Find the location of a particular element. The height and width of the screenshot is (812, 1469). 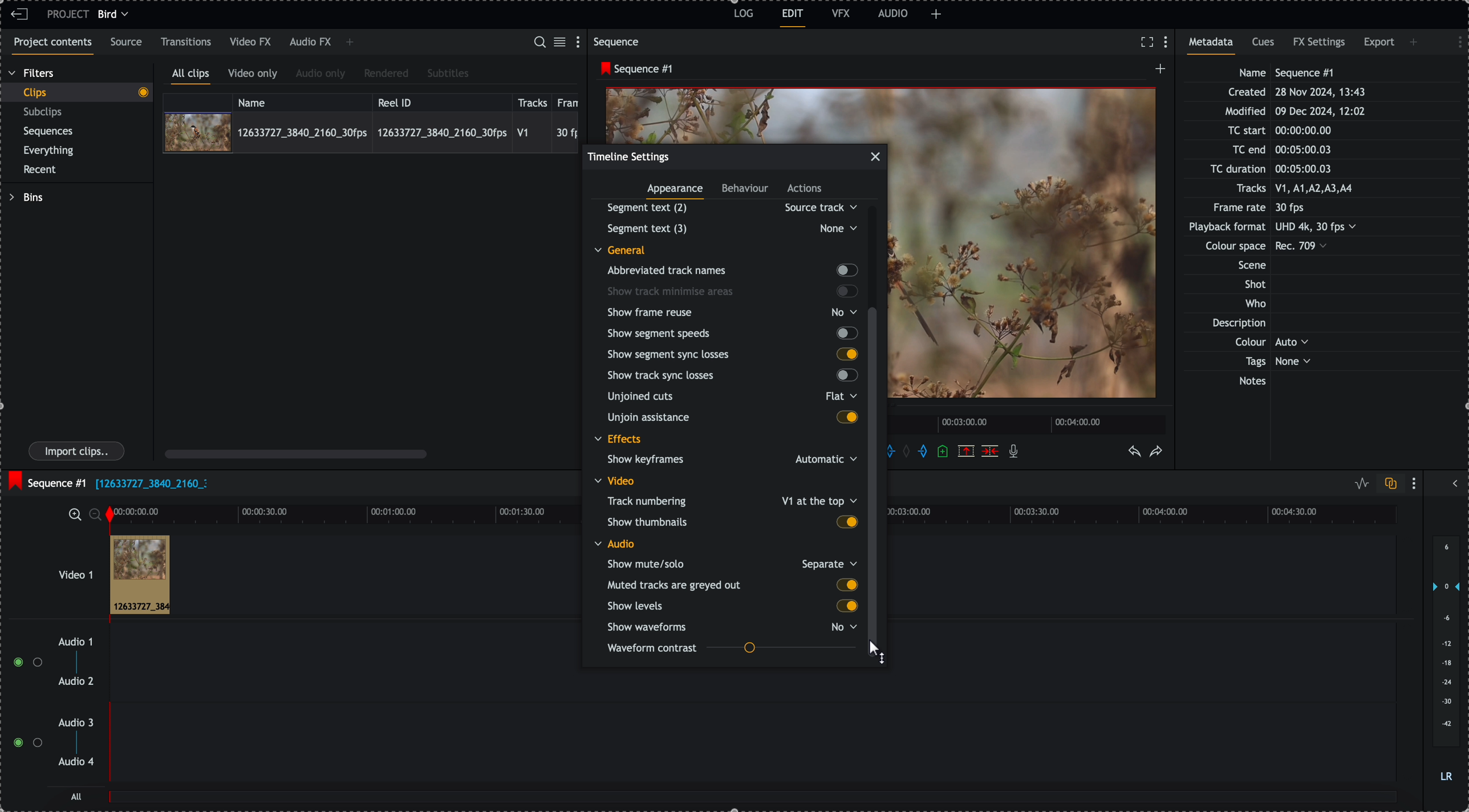

add in marks is located at coordinates (899, 450).